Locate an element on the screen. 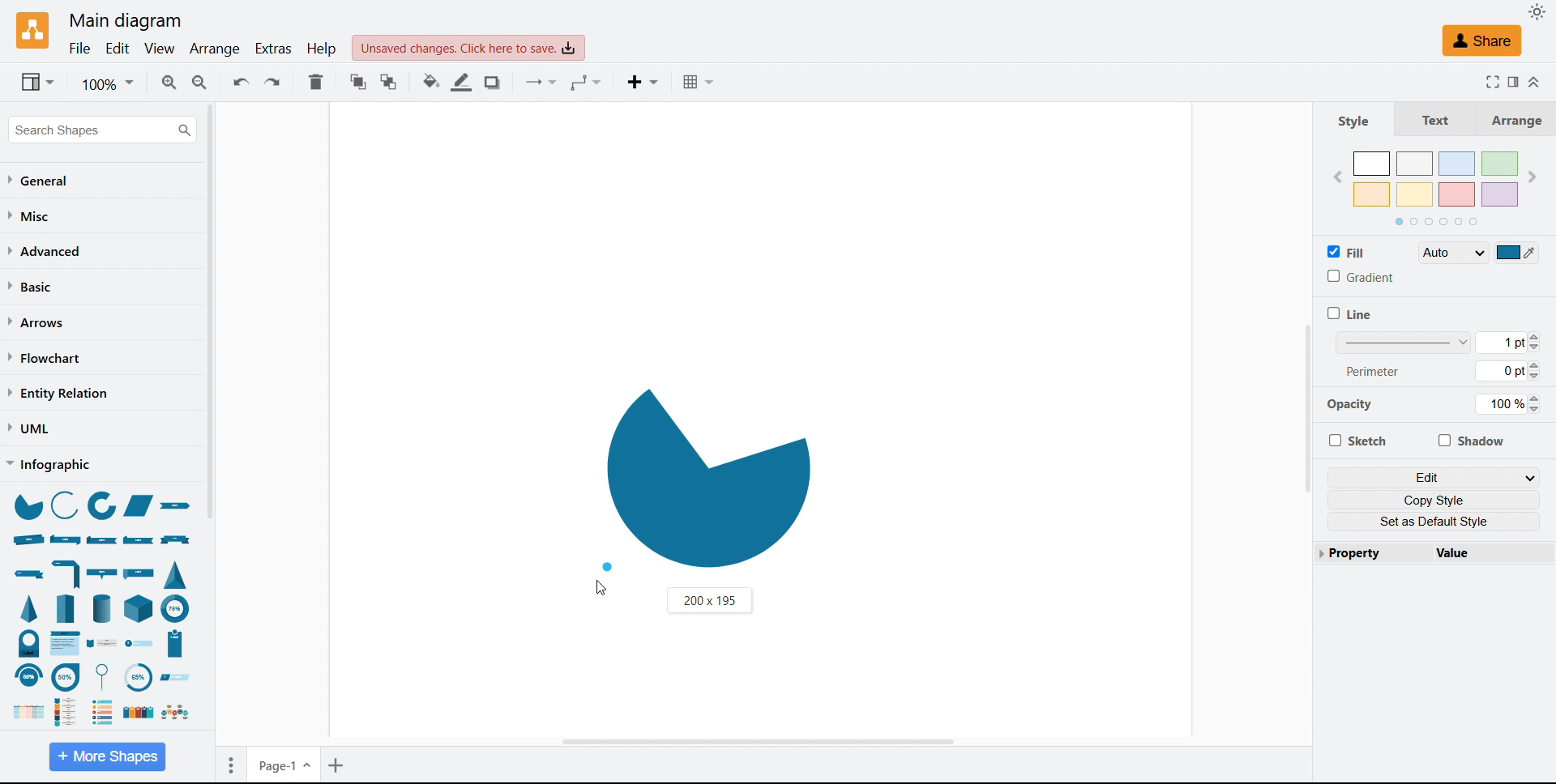 This screenshot has height=784, width=1556. Connectors  is located at coordinates (544, 83).